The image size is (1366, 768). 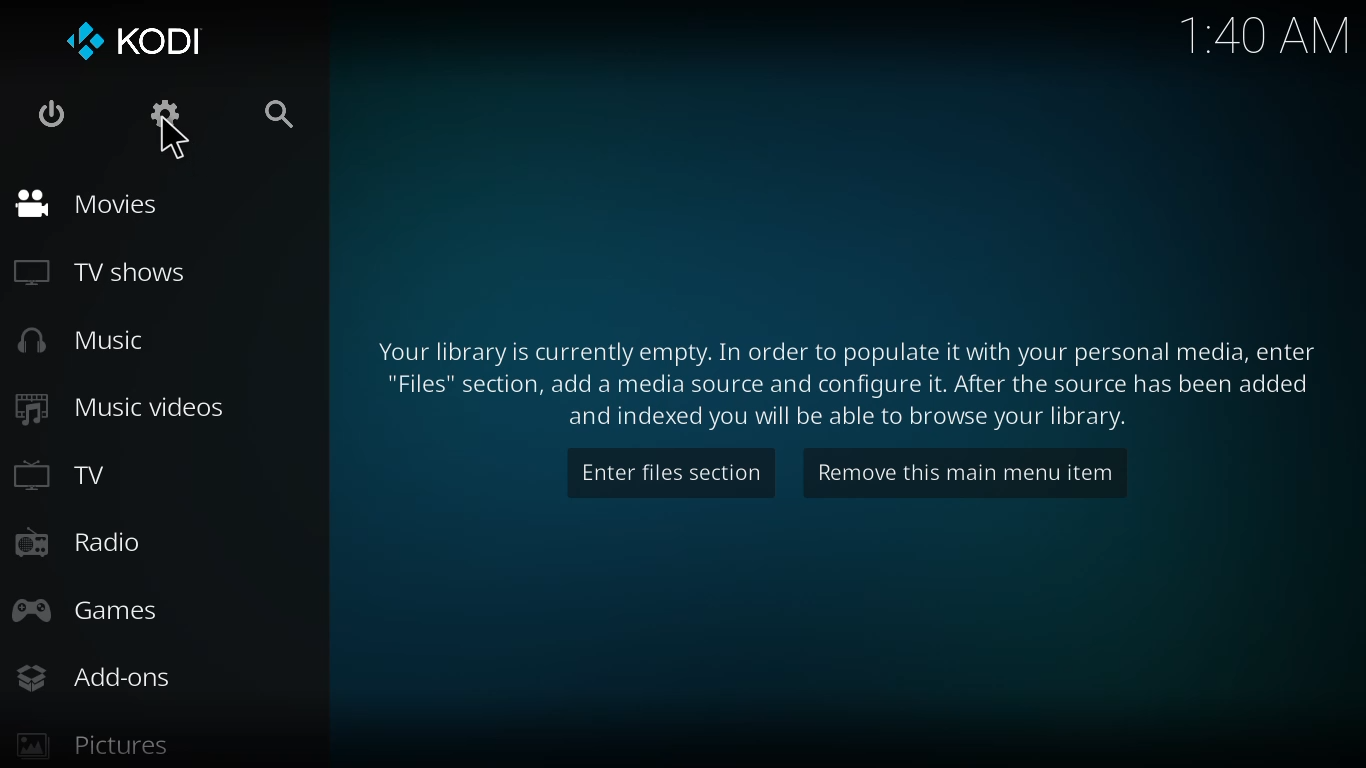 What do you see at coordinates (173, 139) in the screenshot?
I see `cursor` at bounding box center [173, 139].